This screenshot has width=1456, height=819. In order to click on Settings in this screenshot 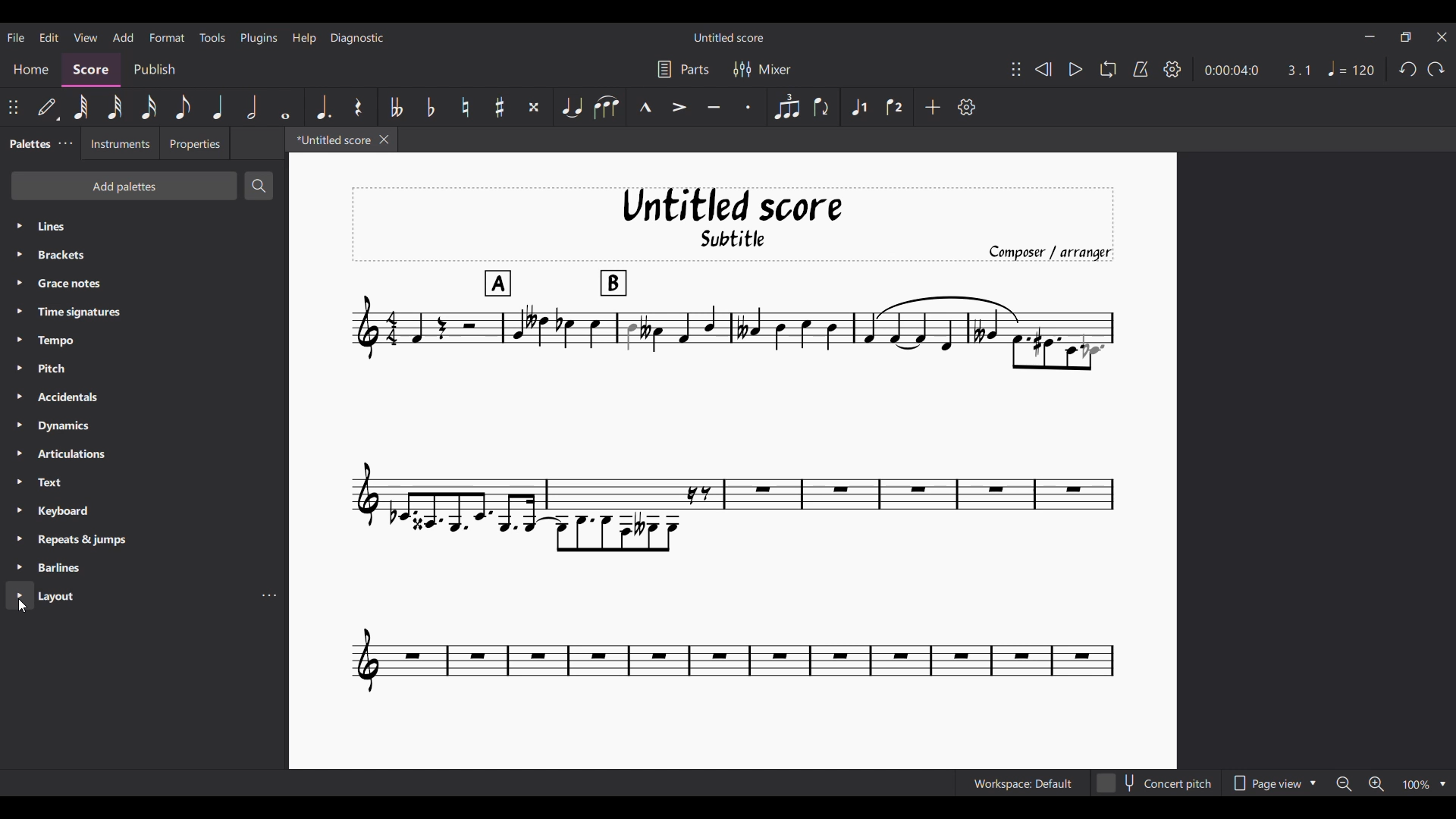, I will do `click(1172, 69)`.